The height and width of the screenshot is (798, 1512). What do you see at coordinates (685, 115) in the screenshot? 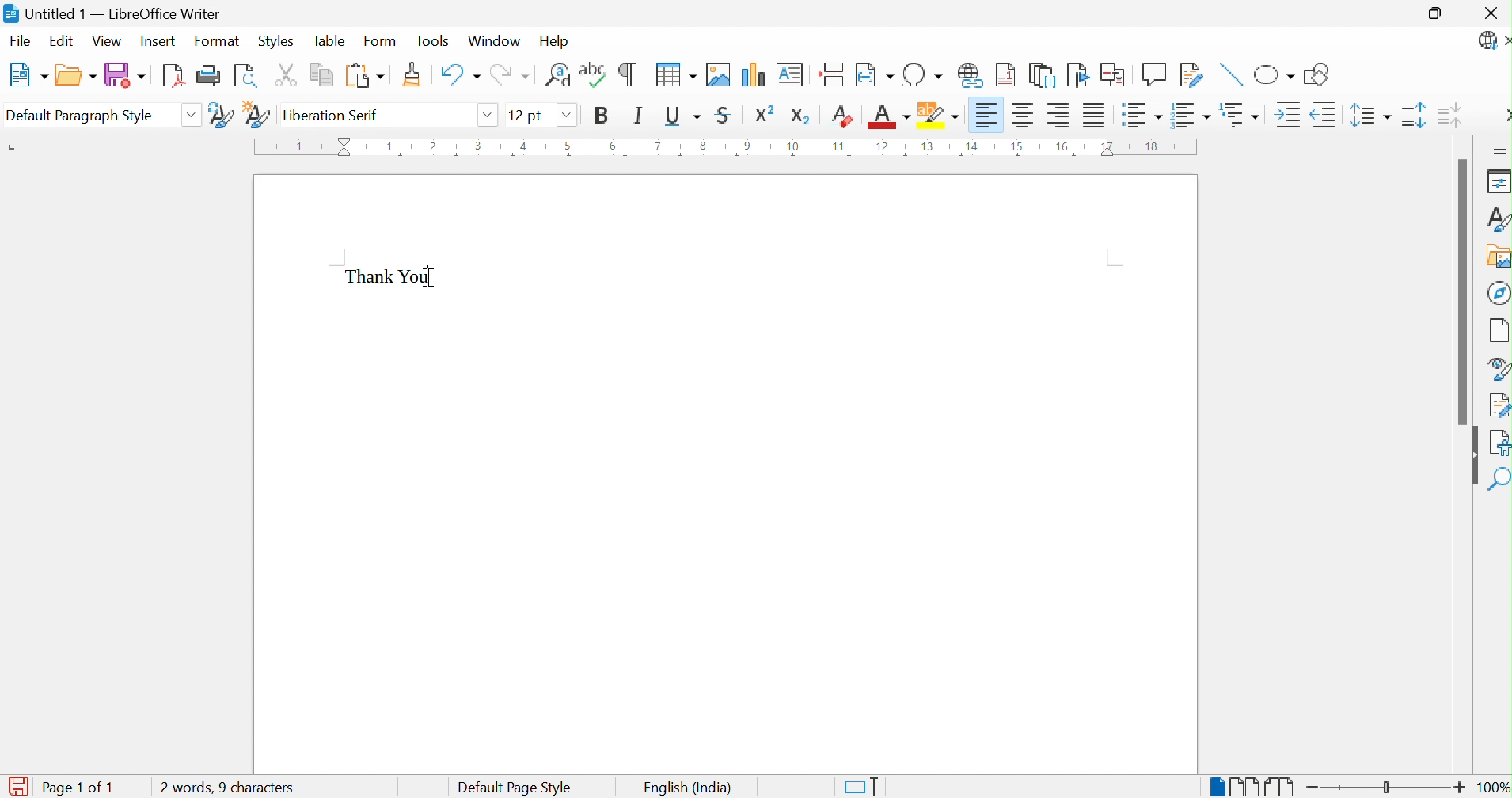
I see `Underline` at bounding box center [685, 115].